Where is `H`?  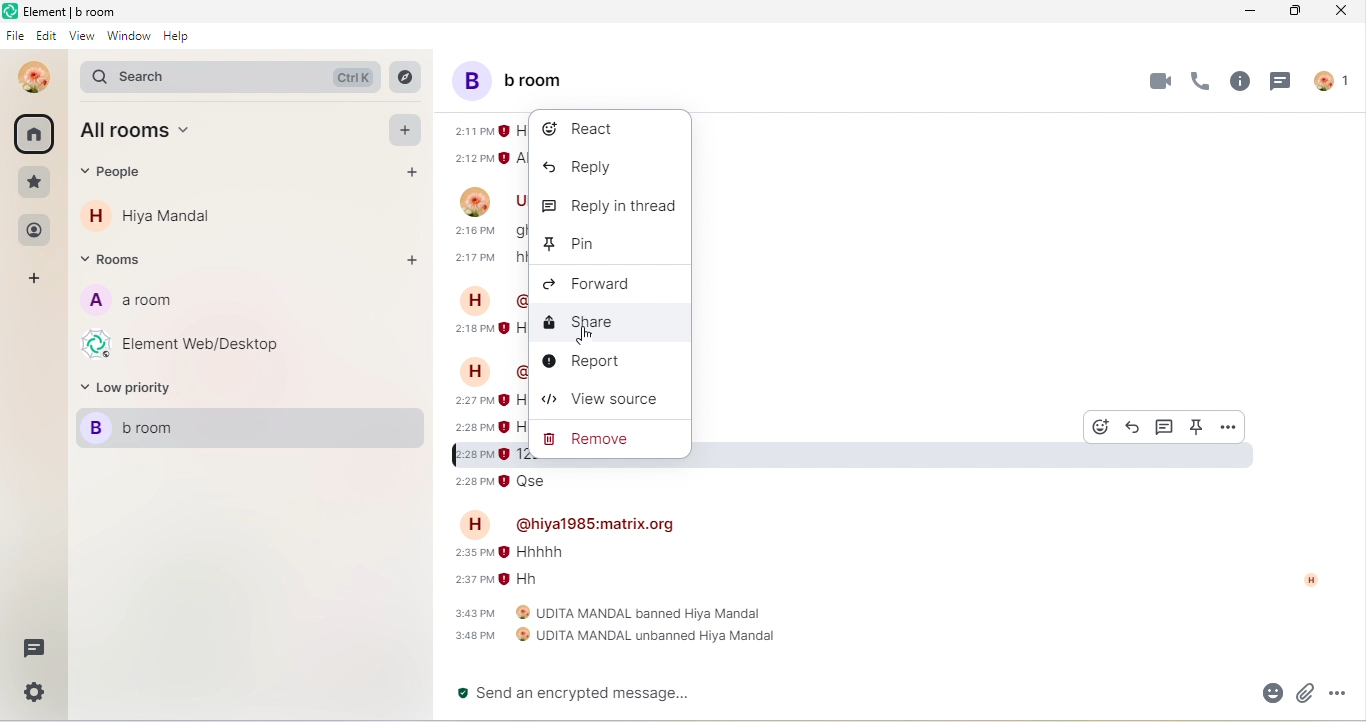
H is located at coordinates (474, 300).